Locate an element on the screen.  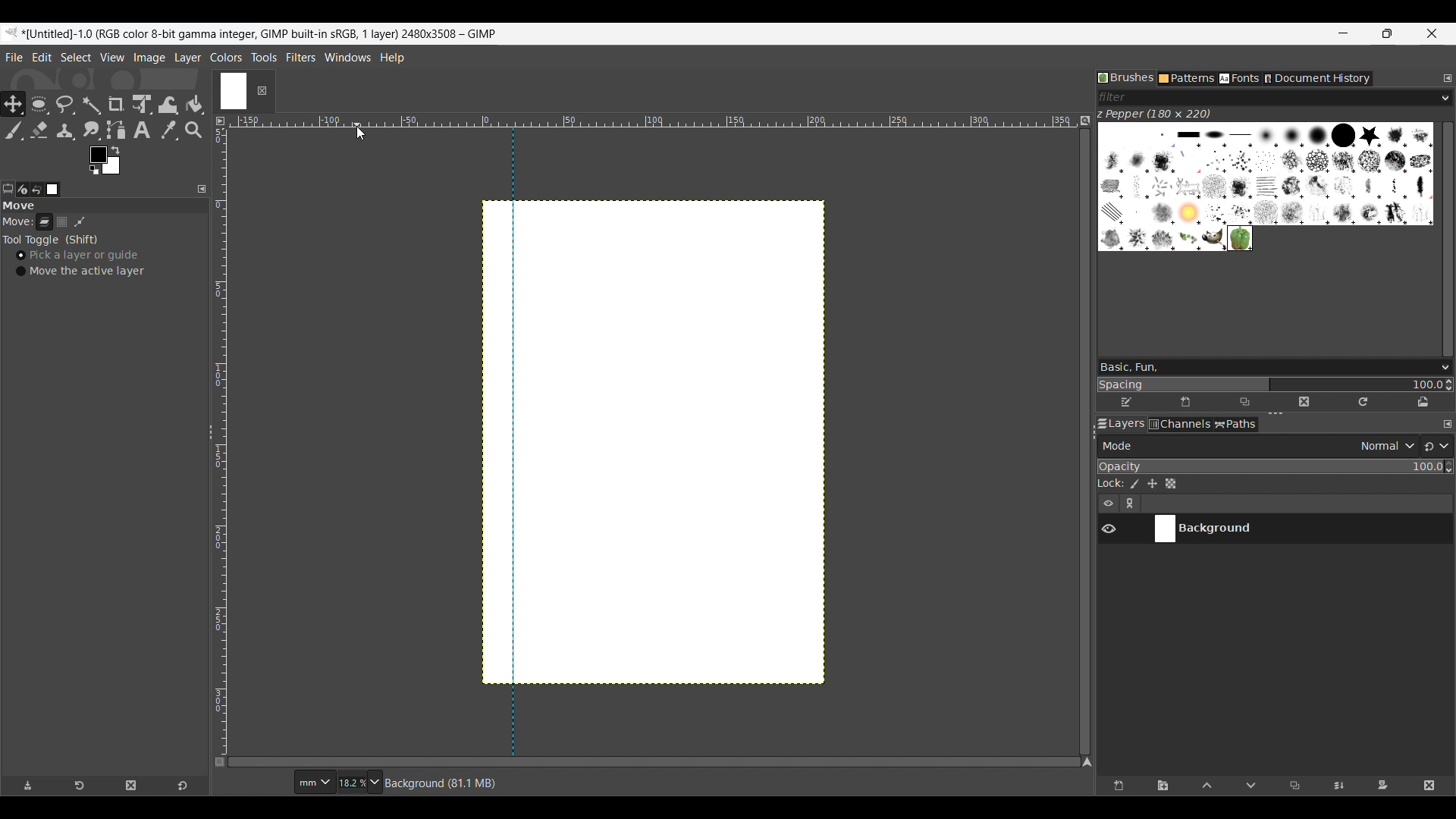
Refresh brushes is located at coordinates (1363, 403).